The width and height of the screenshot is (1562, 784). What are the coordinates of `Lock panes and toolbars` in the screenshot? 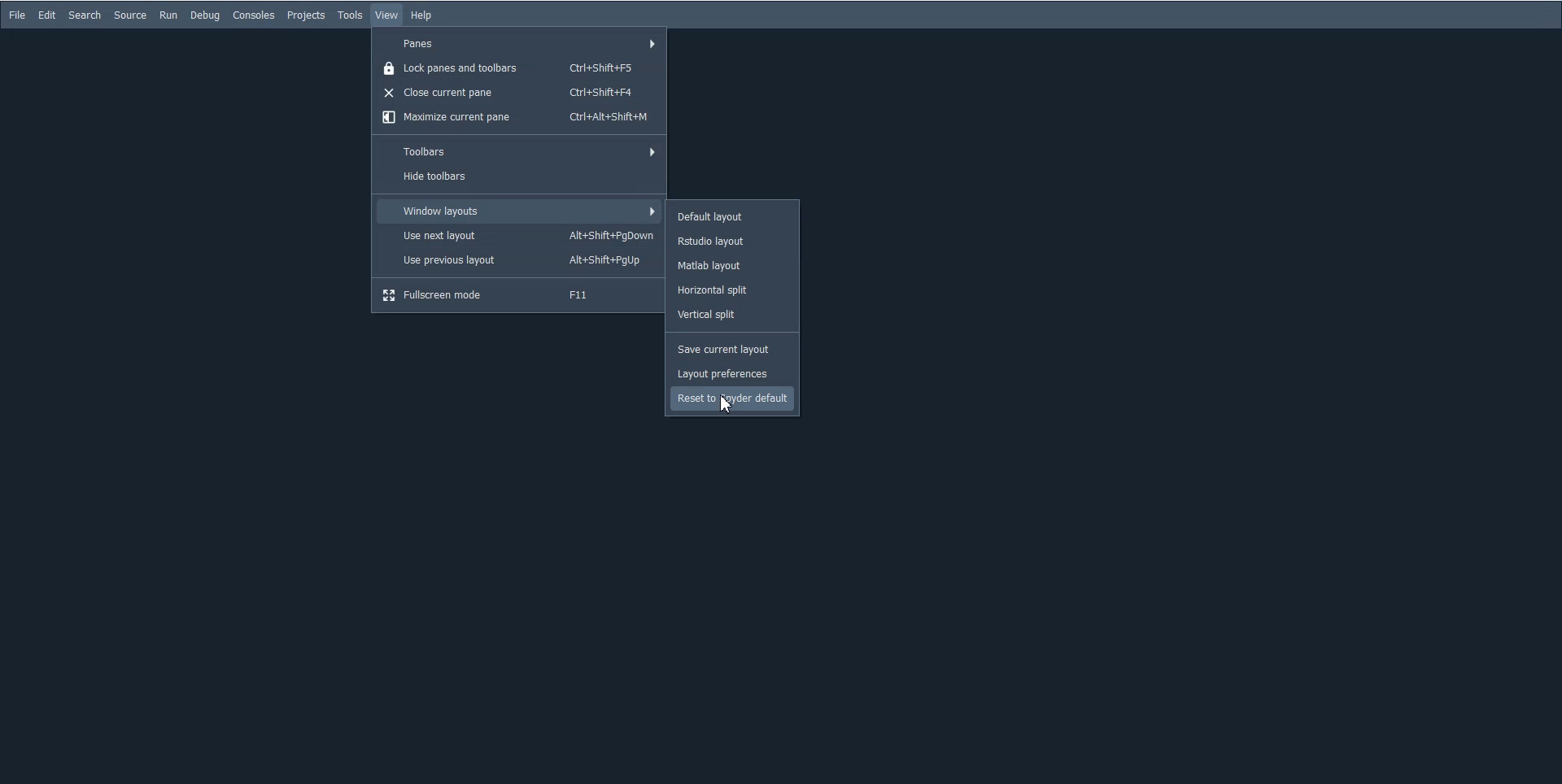 It's located at (519, 67).